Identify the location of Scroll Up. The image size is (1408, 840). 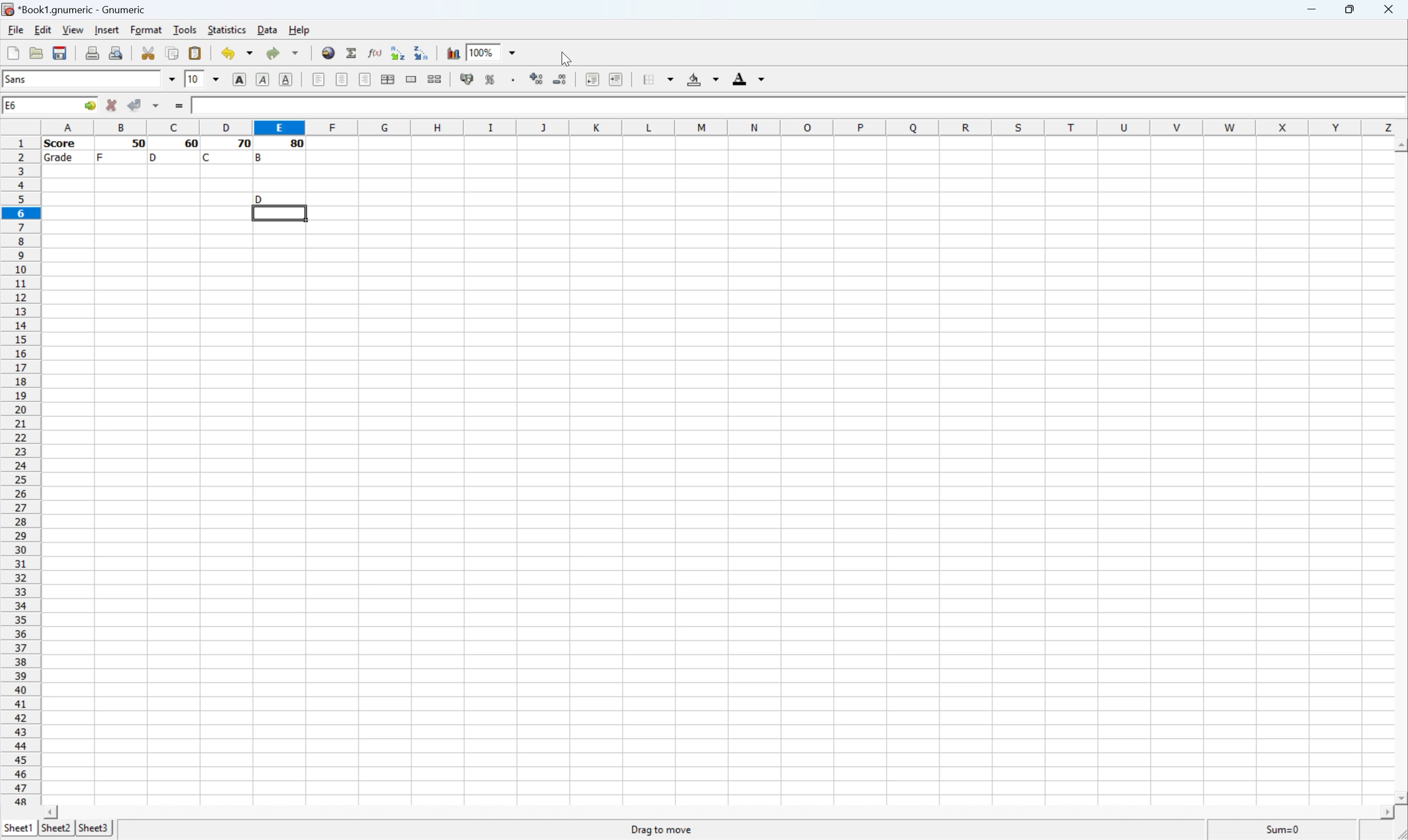
(1399, 145).